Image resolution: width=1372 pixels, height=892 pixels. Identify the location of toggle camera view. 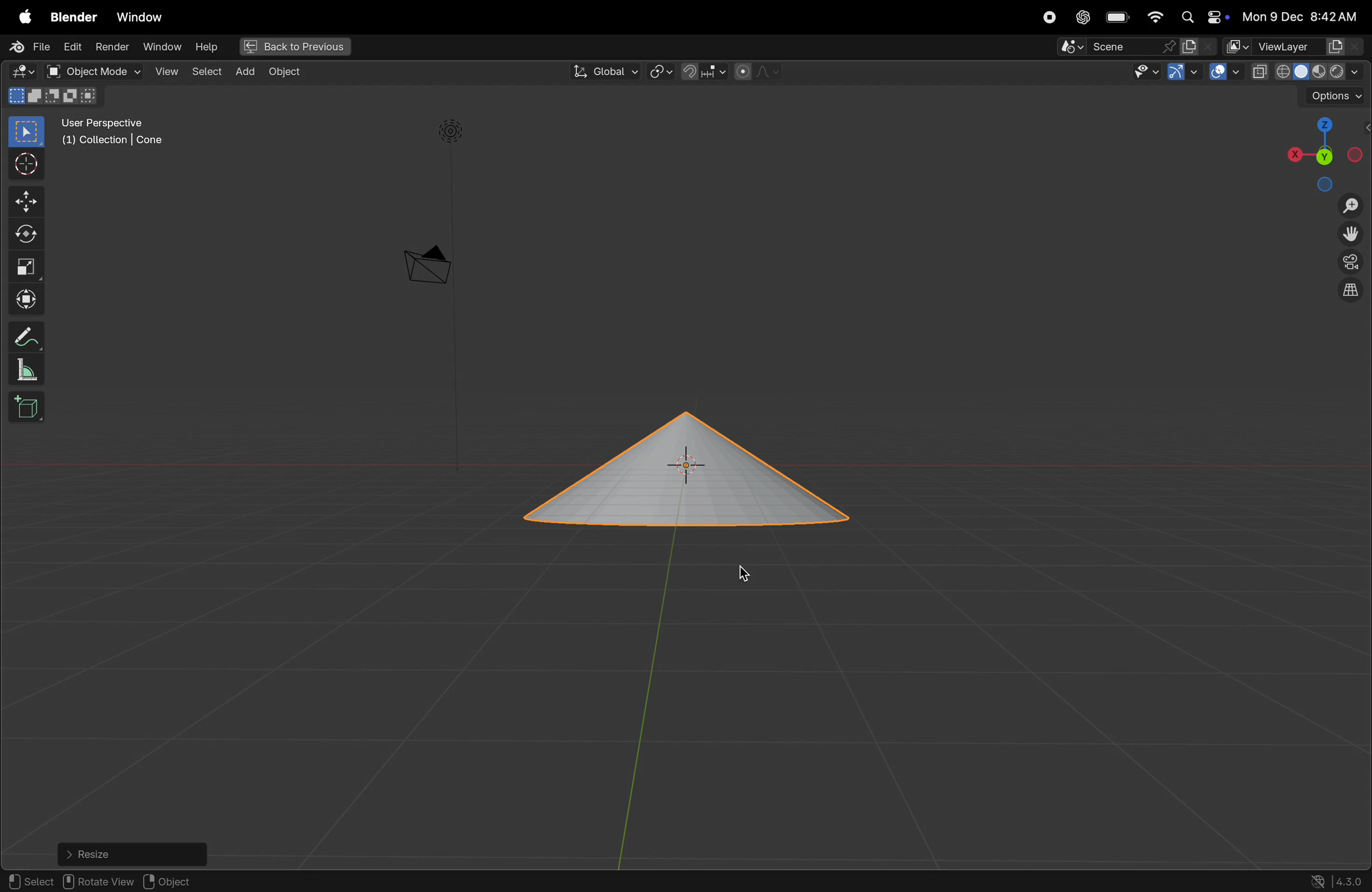
(1352, 260).